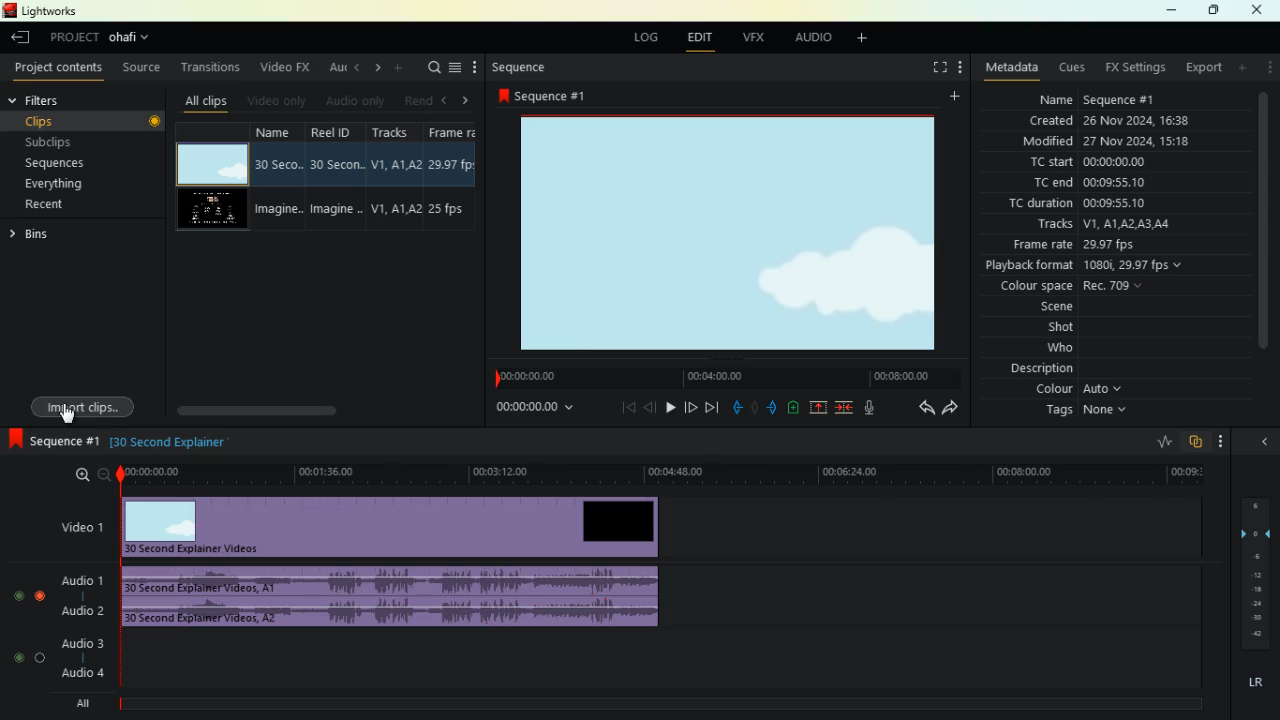  What do you see at coordinates (664, 474) in the screenshot?
I see `time` at bounding box center [664, 474].